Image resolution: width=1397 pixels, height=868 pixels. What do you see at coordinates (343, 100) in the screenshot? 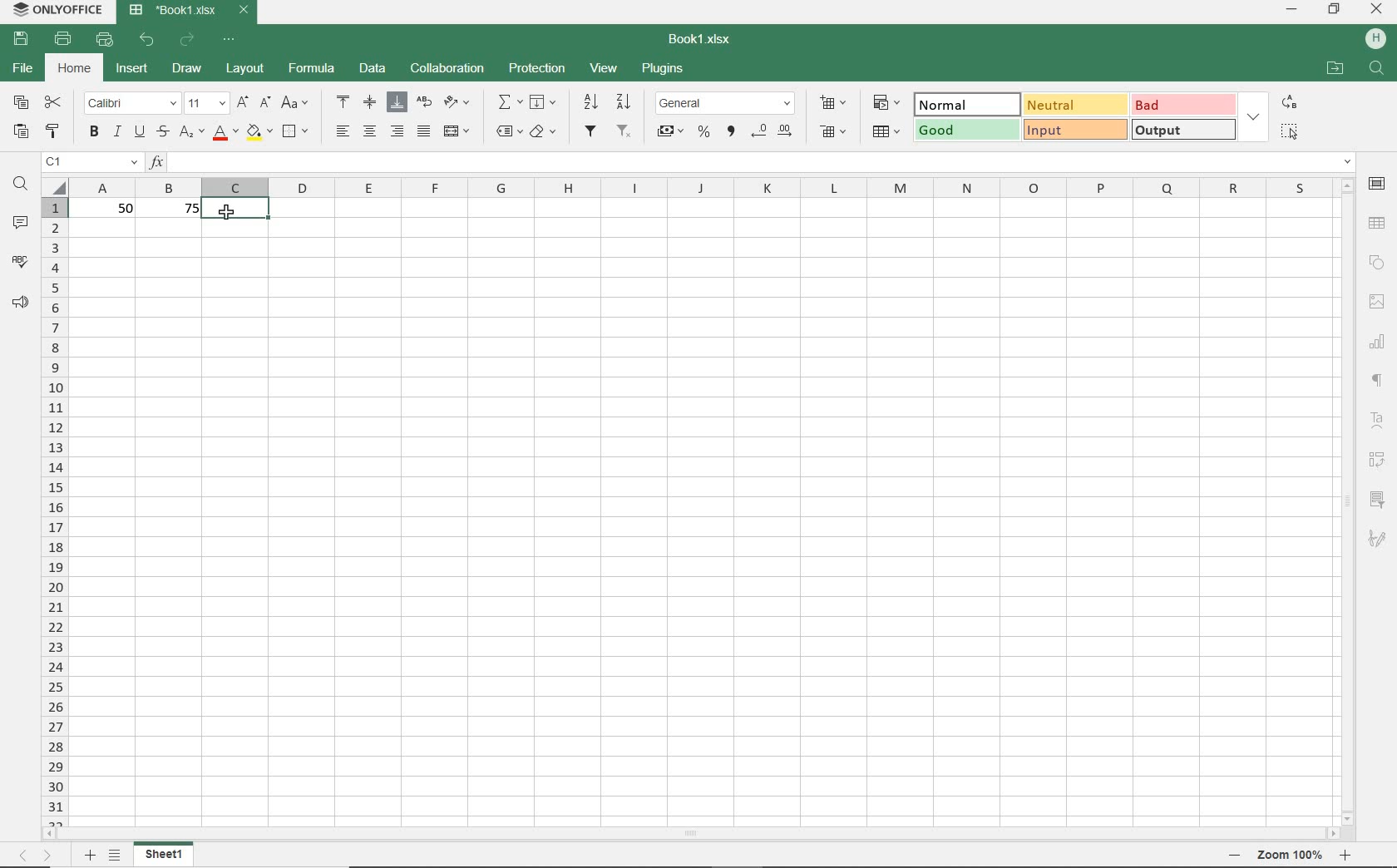
I see `align top` at bounding box center [343, 100].